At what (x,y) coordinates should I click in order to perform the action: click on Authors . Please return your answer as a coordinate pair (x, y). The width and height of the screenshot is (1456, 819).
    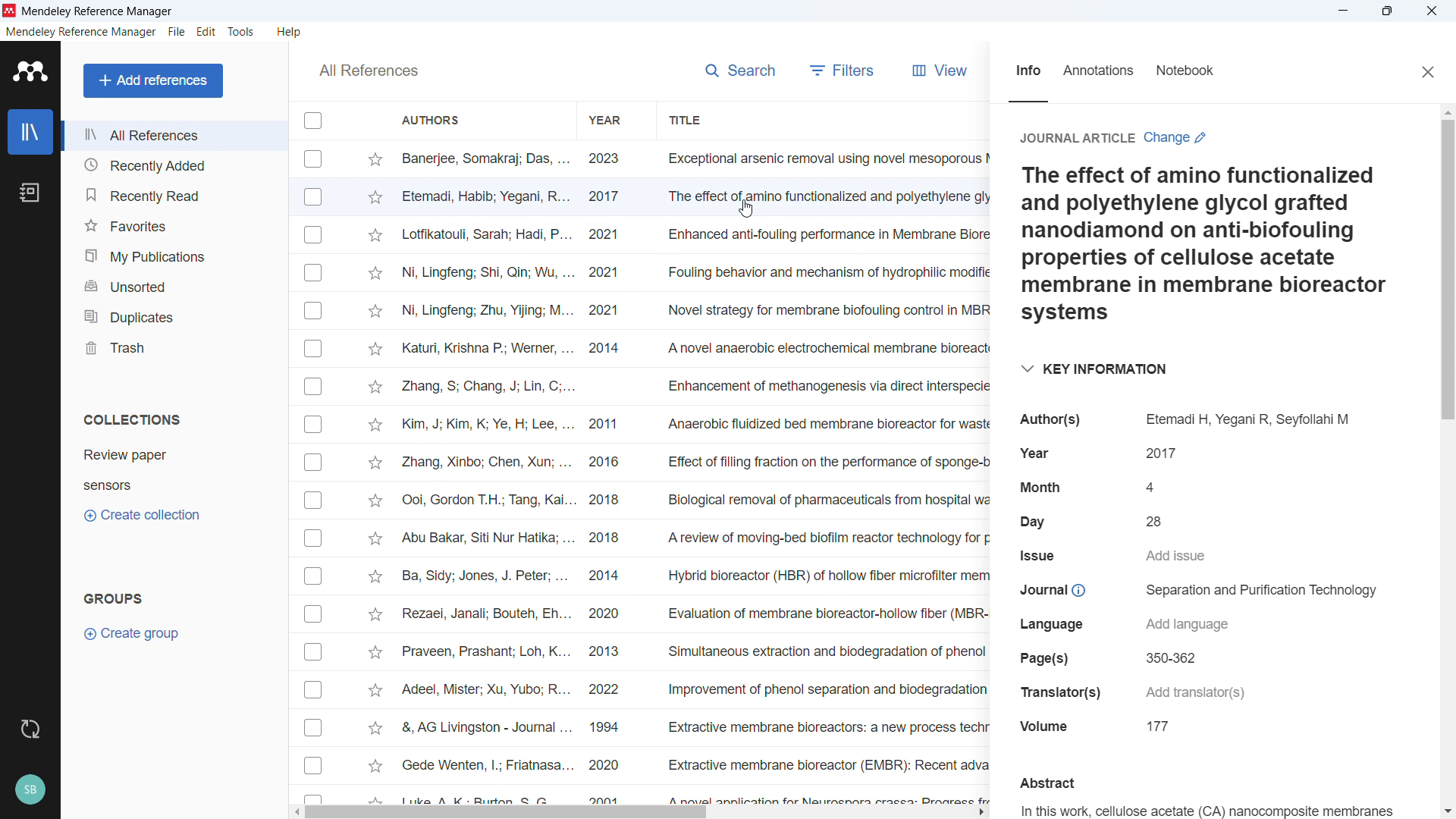
    Looking at the image, I should click on (1186, 419).